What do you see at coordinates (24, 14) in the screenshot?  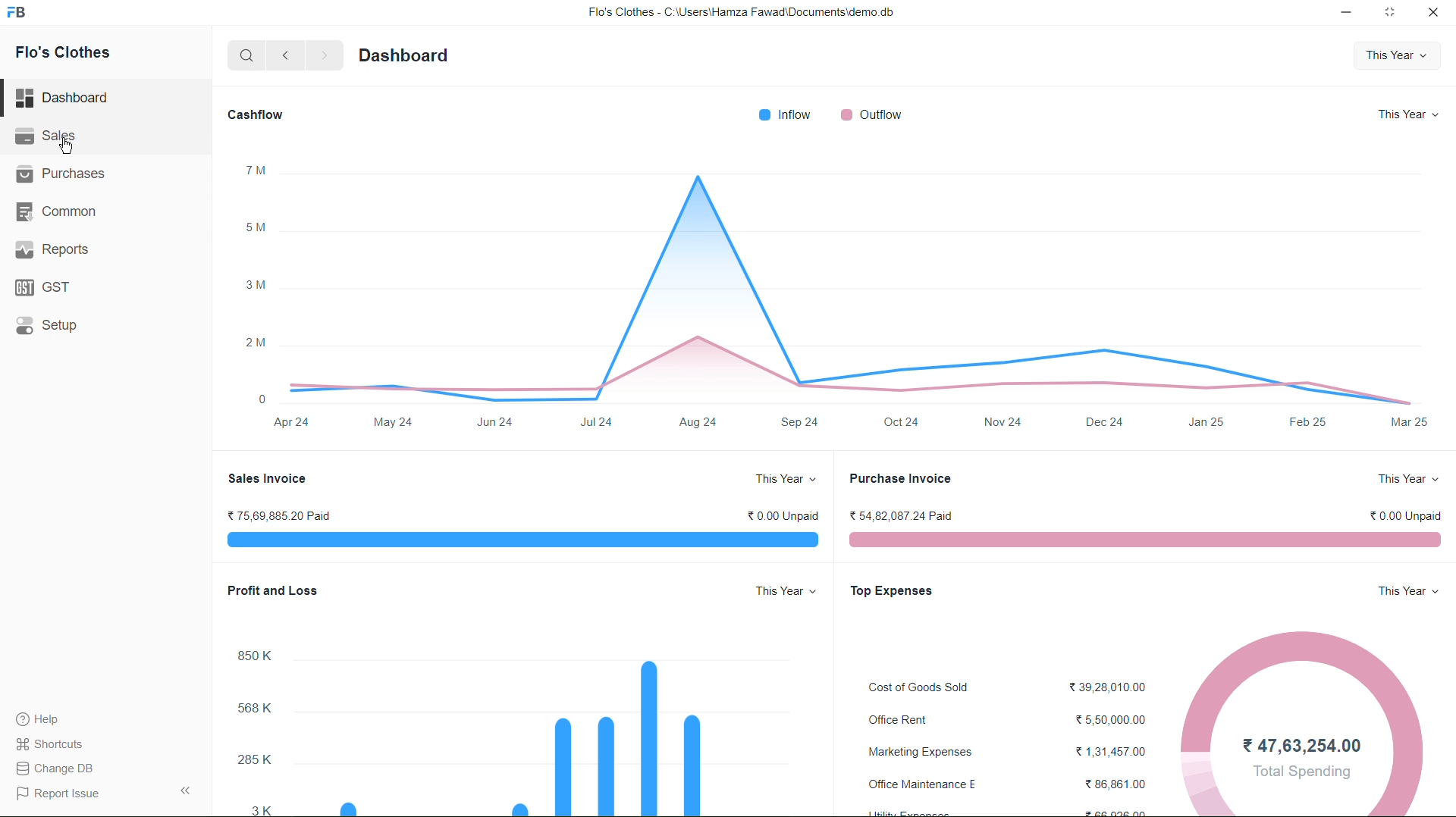 I see `Frappebooks logo` at bounding box center [24, 14].